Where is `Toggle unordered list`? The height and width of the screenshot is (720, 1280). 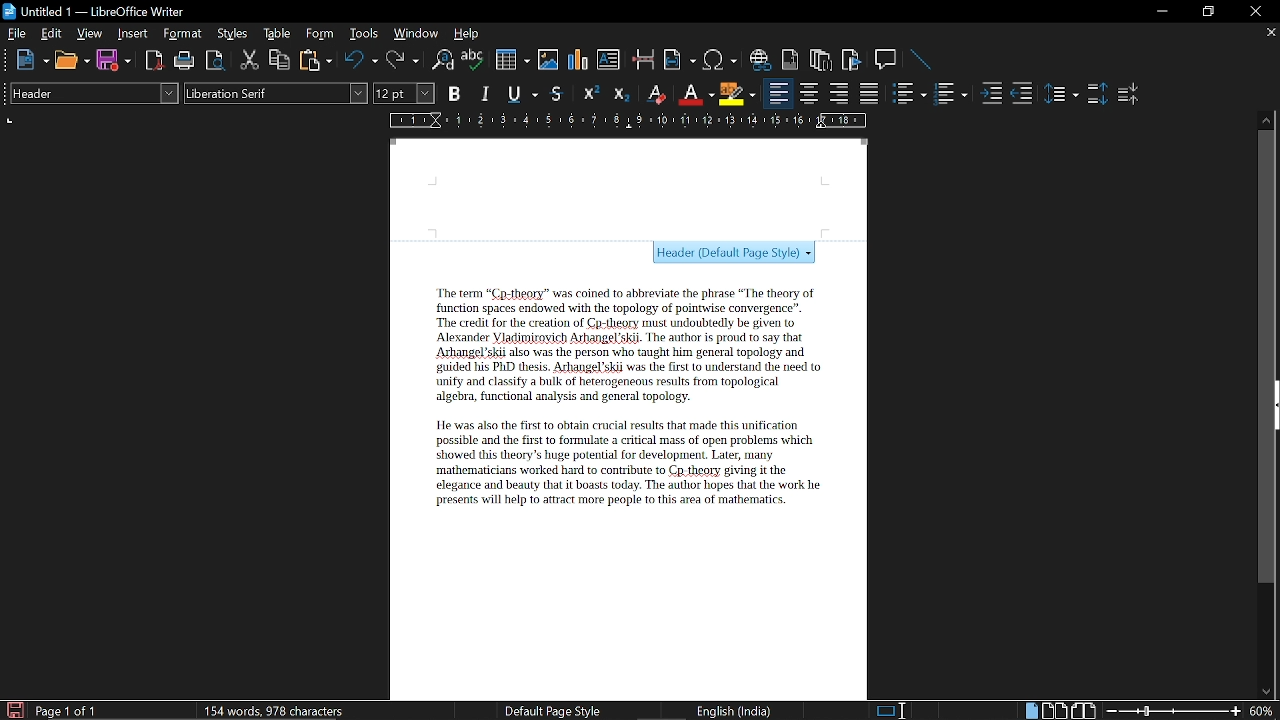
Toggle unordered list is located at coordinates (949, 94).